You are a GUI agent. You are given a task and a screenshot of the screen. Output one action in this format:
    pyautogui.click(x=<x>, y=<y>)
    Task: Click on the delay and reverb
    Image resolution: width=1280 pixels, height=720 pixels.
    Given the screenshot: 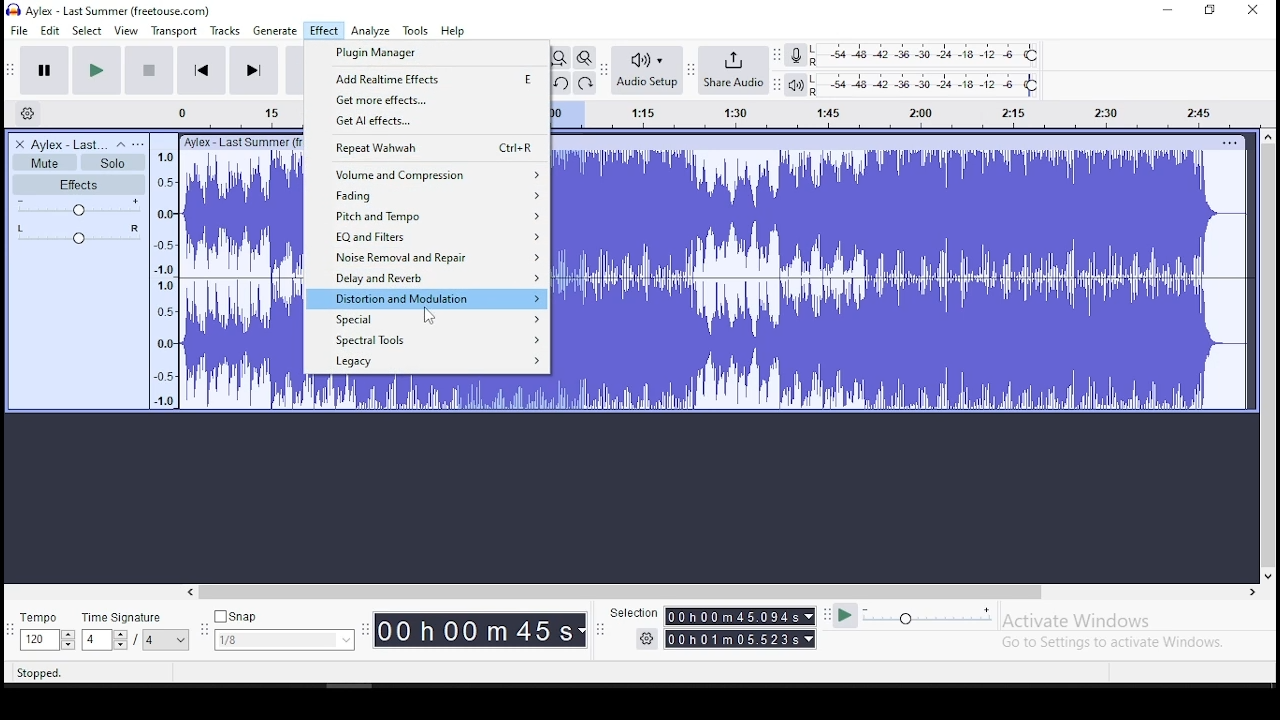 What is the action you would take?
    pyautogui.click(x=425, y=276)
    